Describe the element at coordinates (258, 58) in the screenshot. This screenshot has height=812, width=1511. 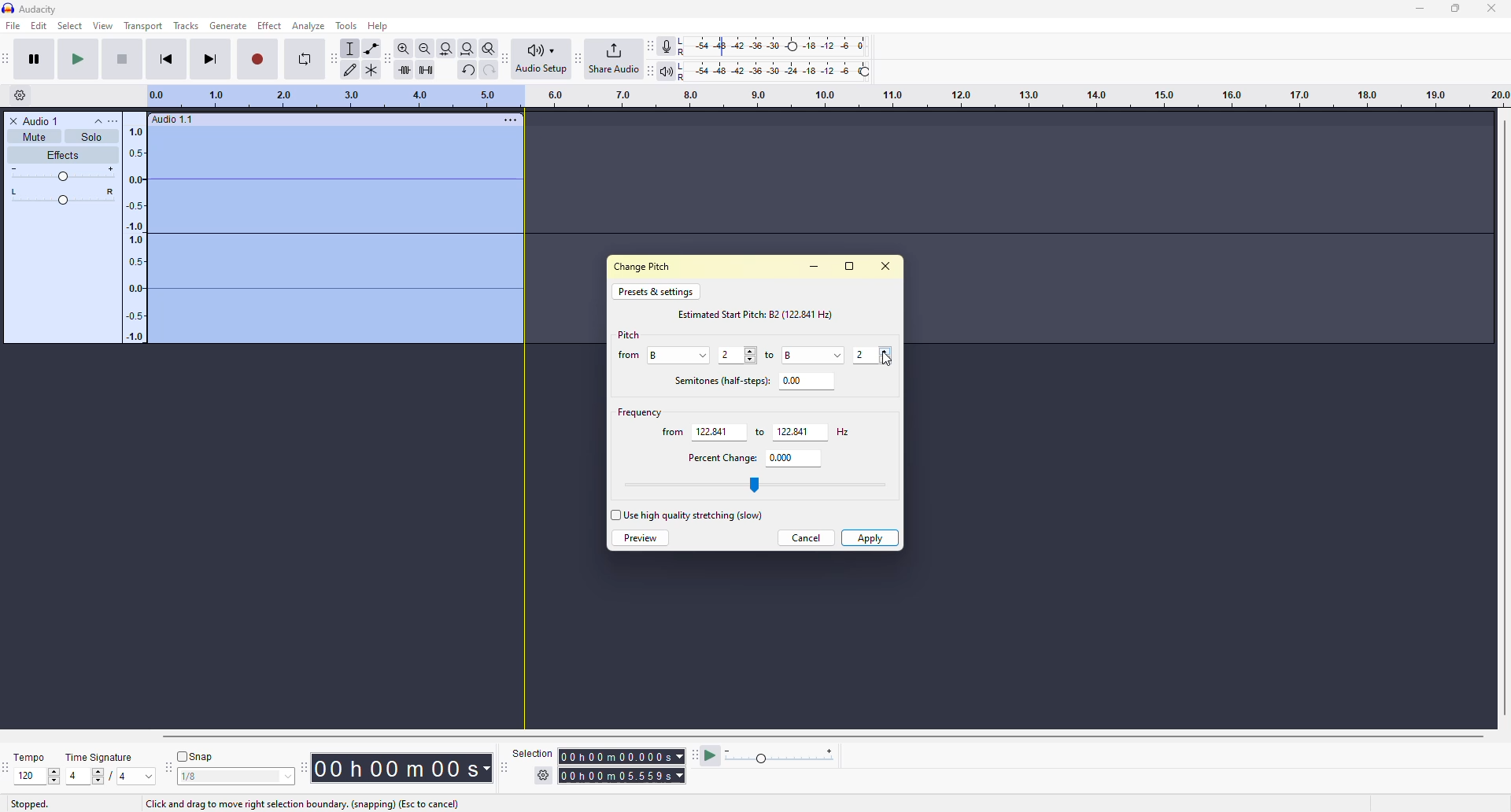
I see `record` at that location.